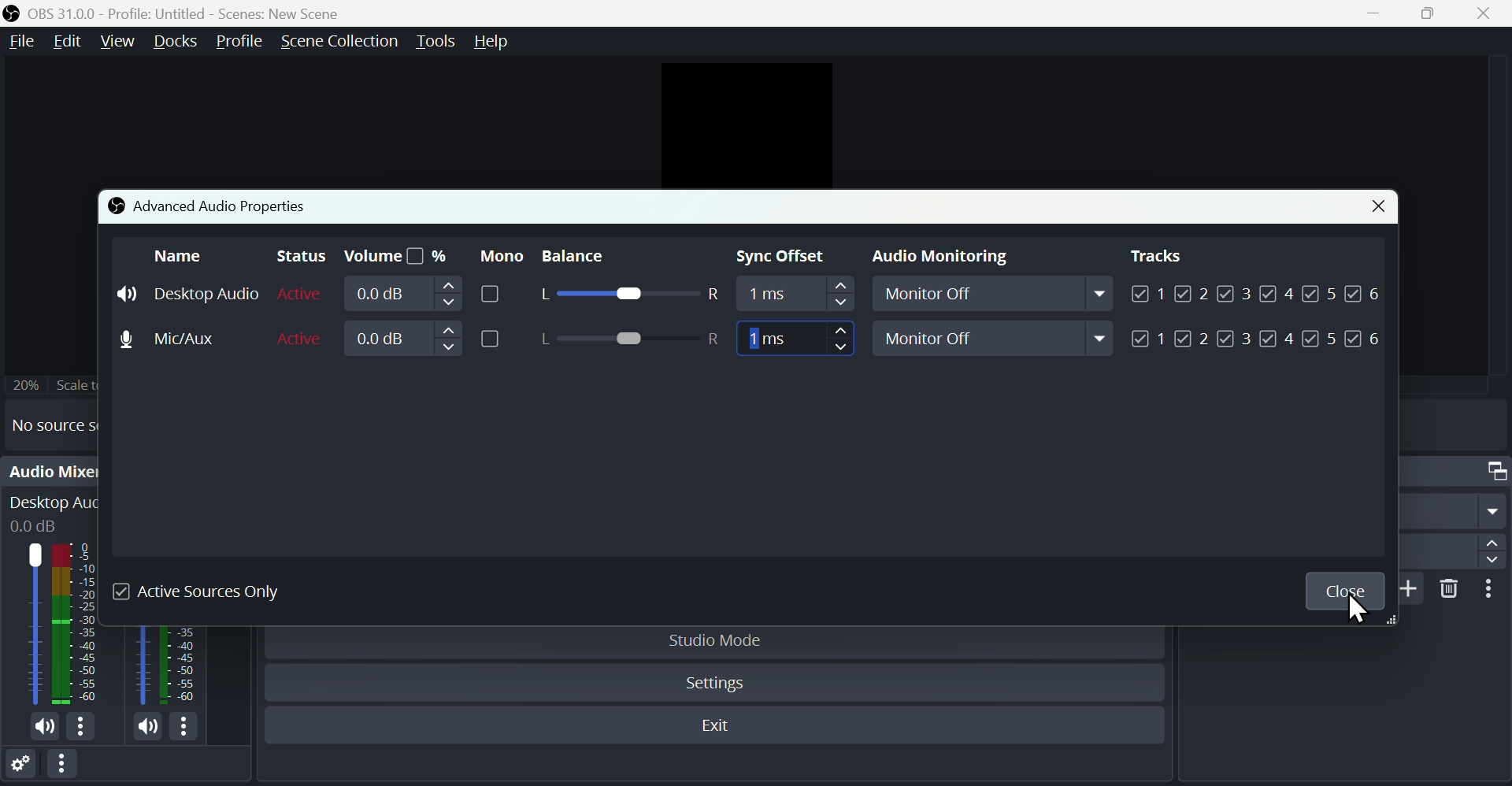  Describe the element at coordinates (719, 684) in the screenshot. I see `Settings` at that location.